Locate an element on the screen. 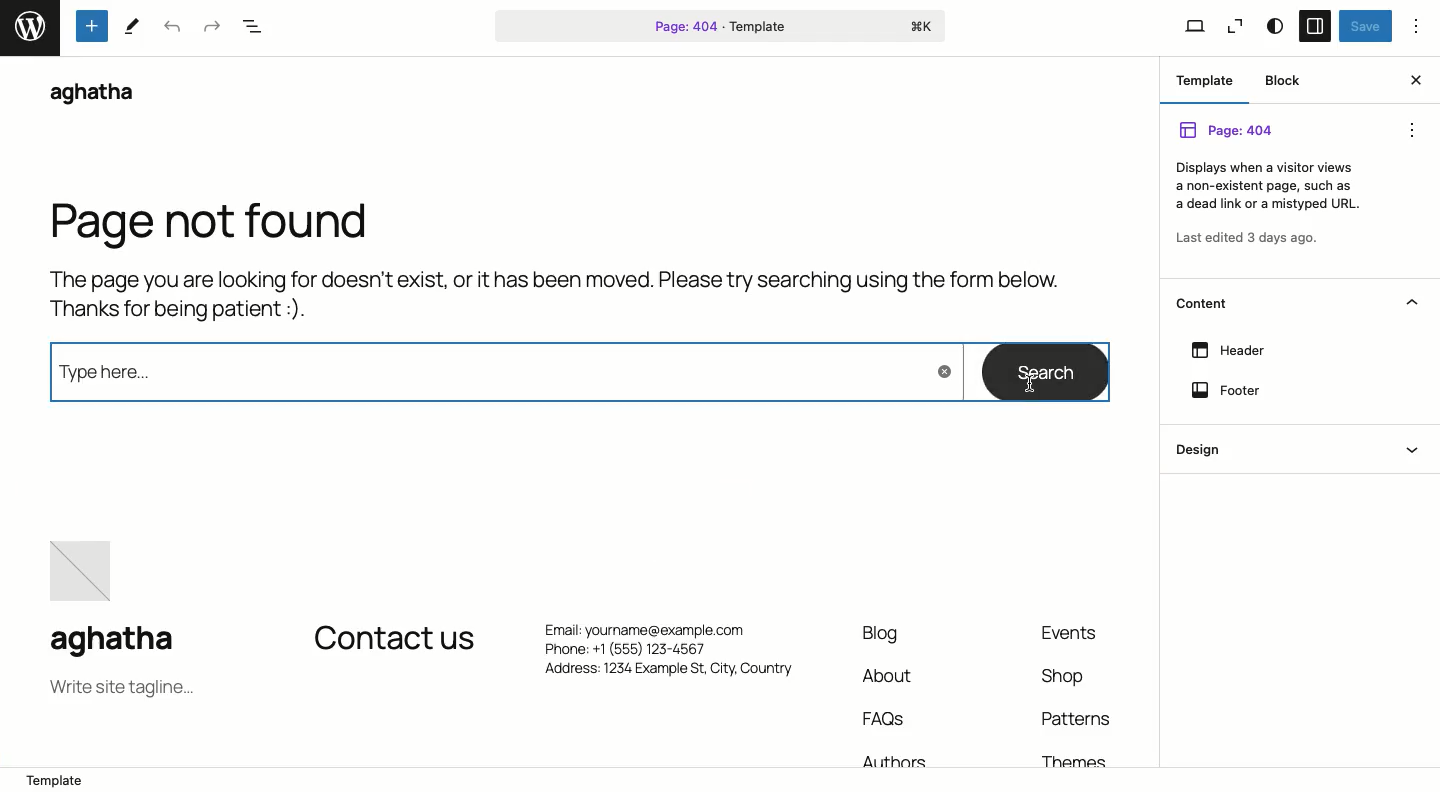 The image size is (1440, 792). Redo is located at coordinates (209, 27).